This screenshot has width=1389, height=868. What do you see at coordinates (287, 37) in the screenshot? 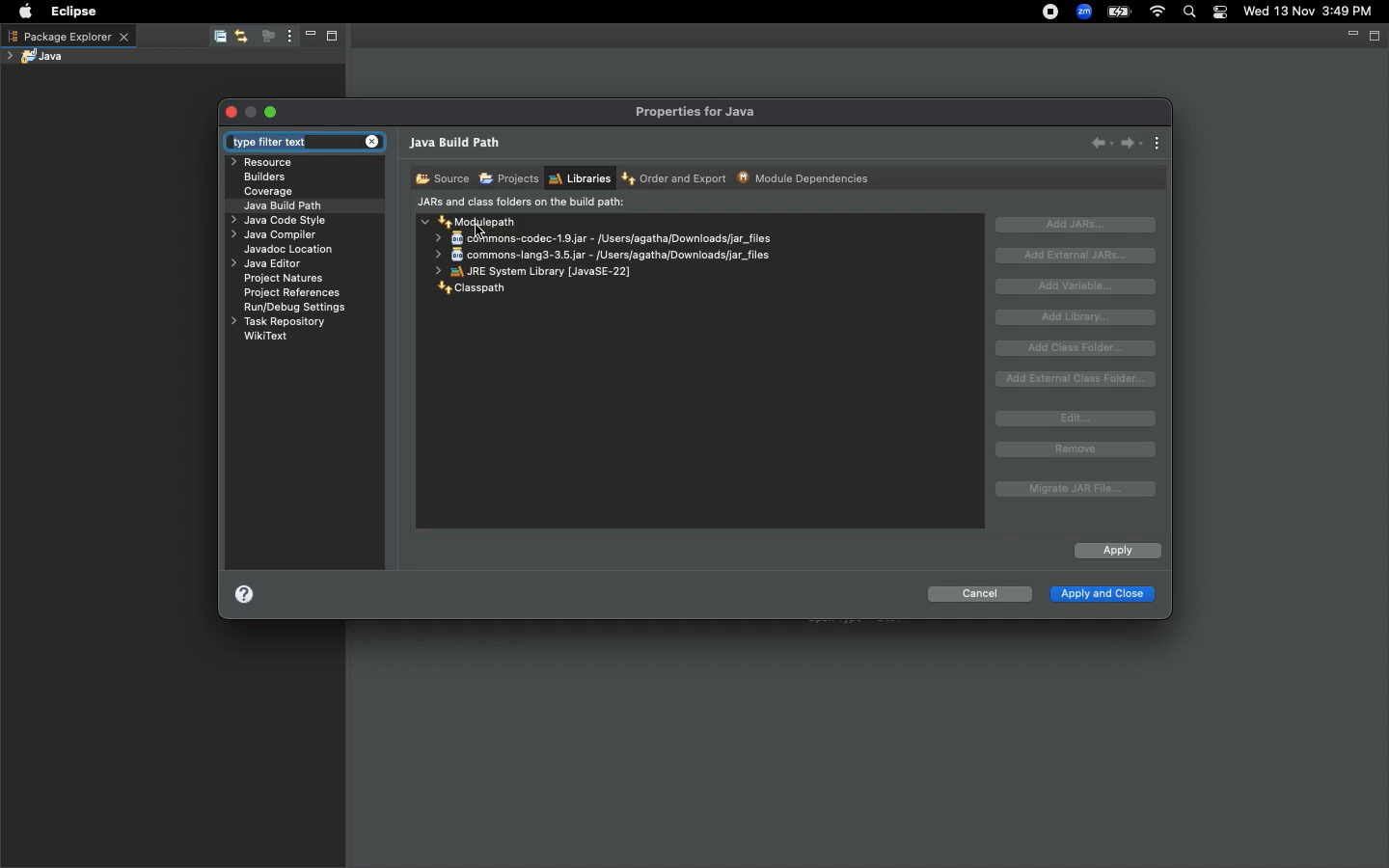
I see `View menu` at bounding box center [287, 37].